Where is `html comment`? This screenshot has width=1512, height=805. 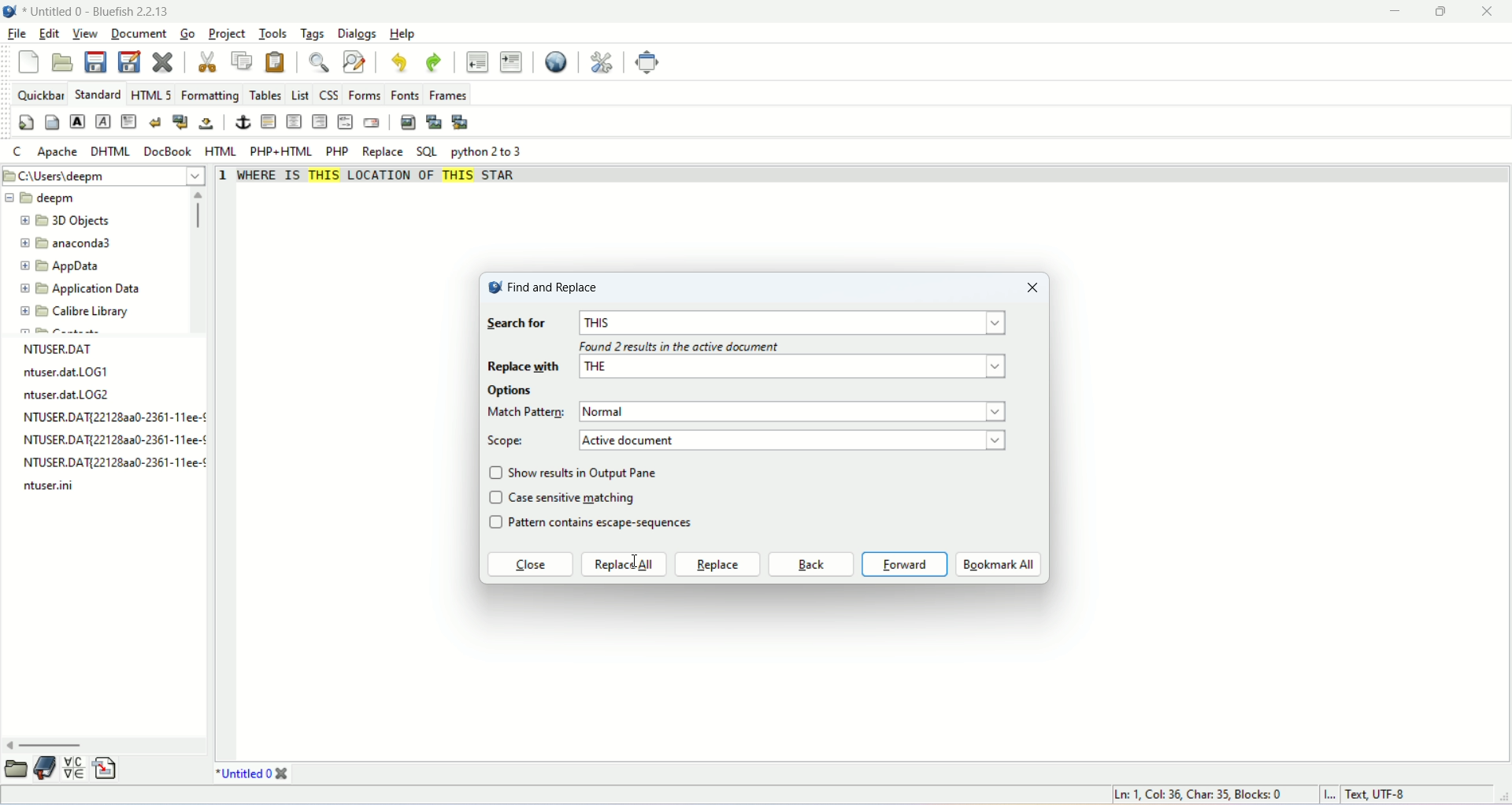 html comment is located at coordinates (346, 123).